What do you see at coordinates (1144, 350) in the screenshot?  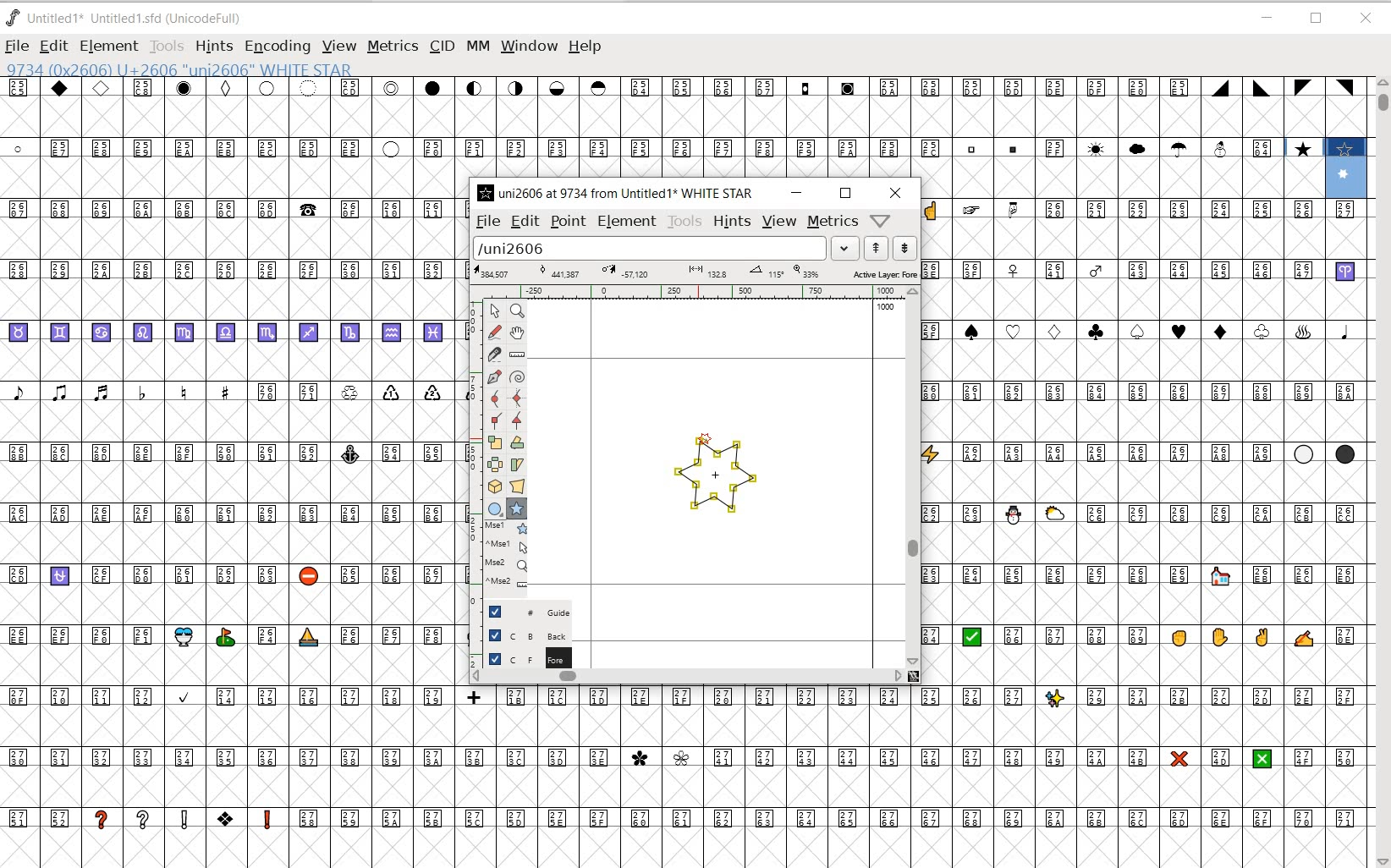 I see `GLYPHY CHARACTERS & NUMBERS` at bounding box center [1144, 350].